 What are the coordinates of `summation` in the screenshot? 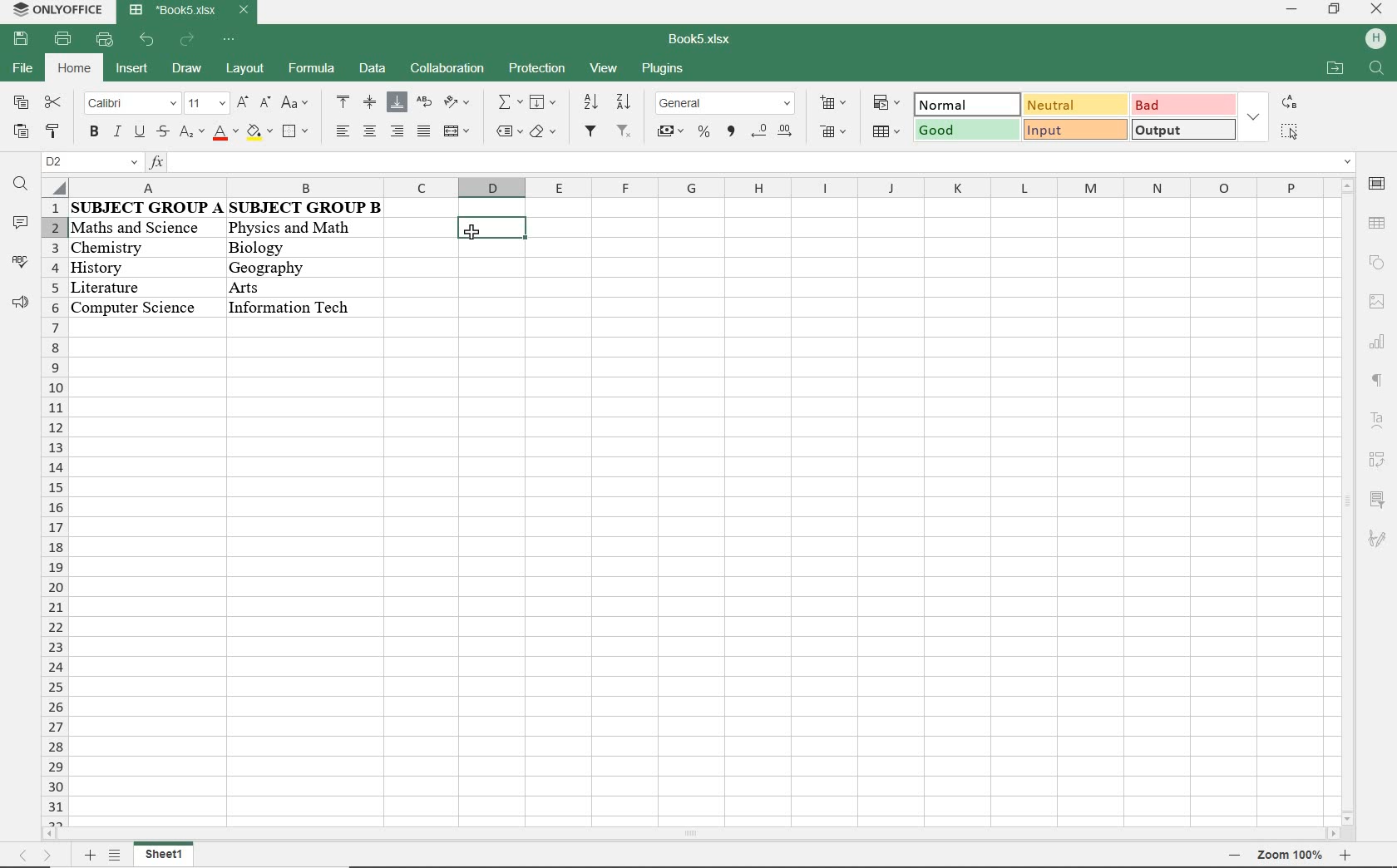 It's located at (509, 103).